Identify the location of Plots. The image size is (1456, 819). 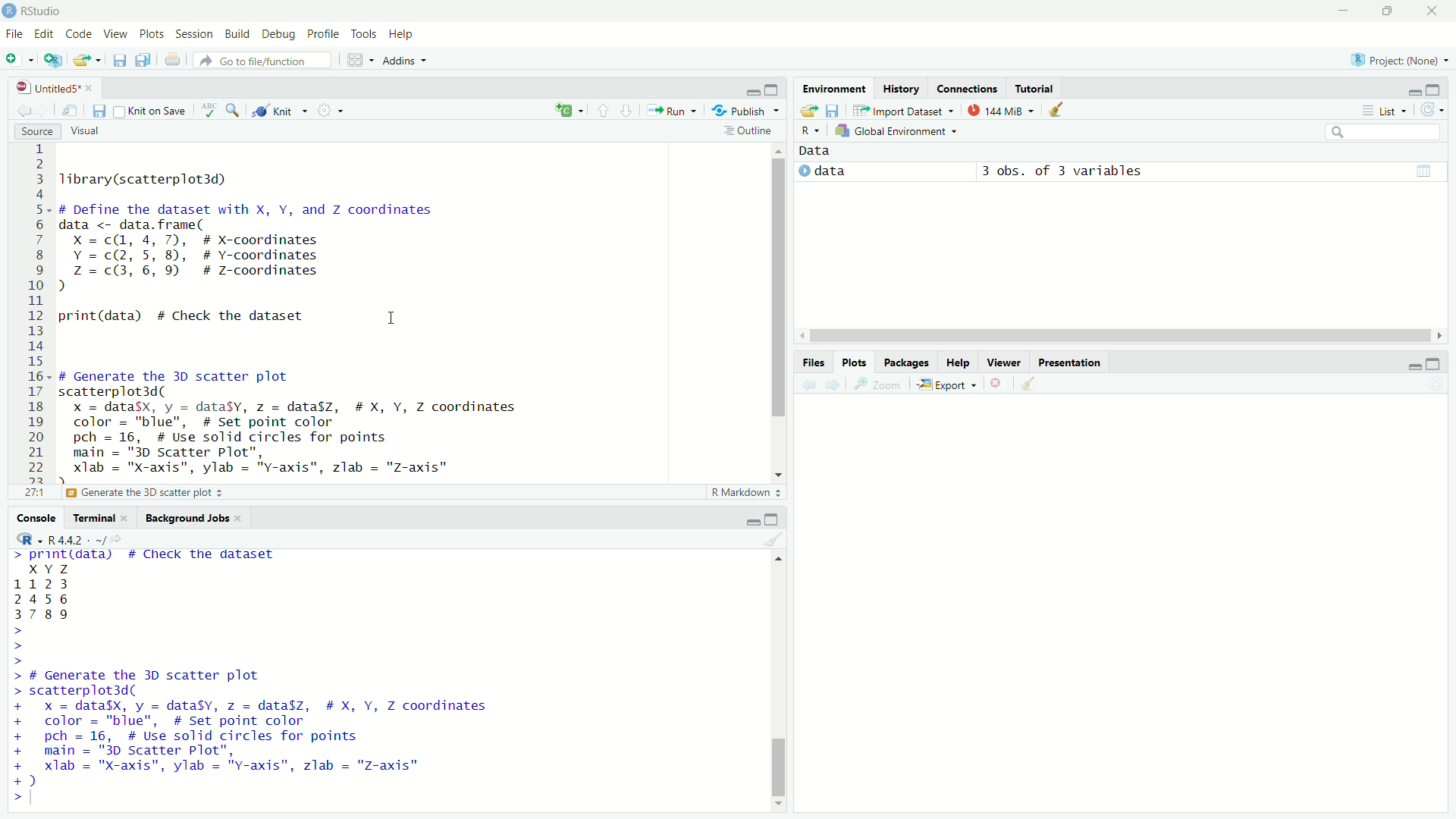
(855, 363).